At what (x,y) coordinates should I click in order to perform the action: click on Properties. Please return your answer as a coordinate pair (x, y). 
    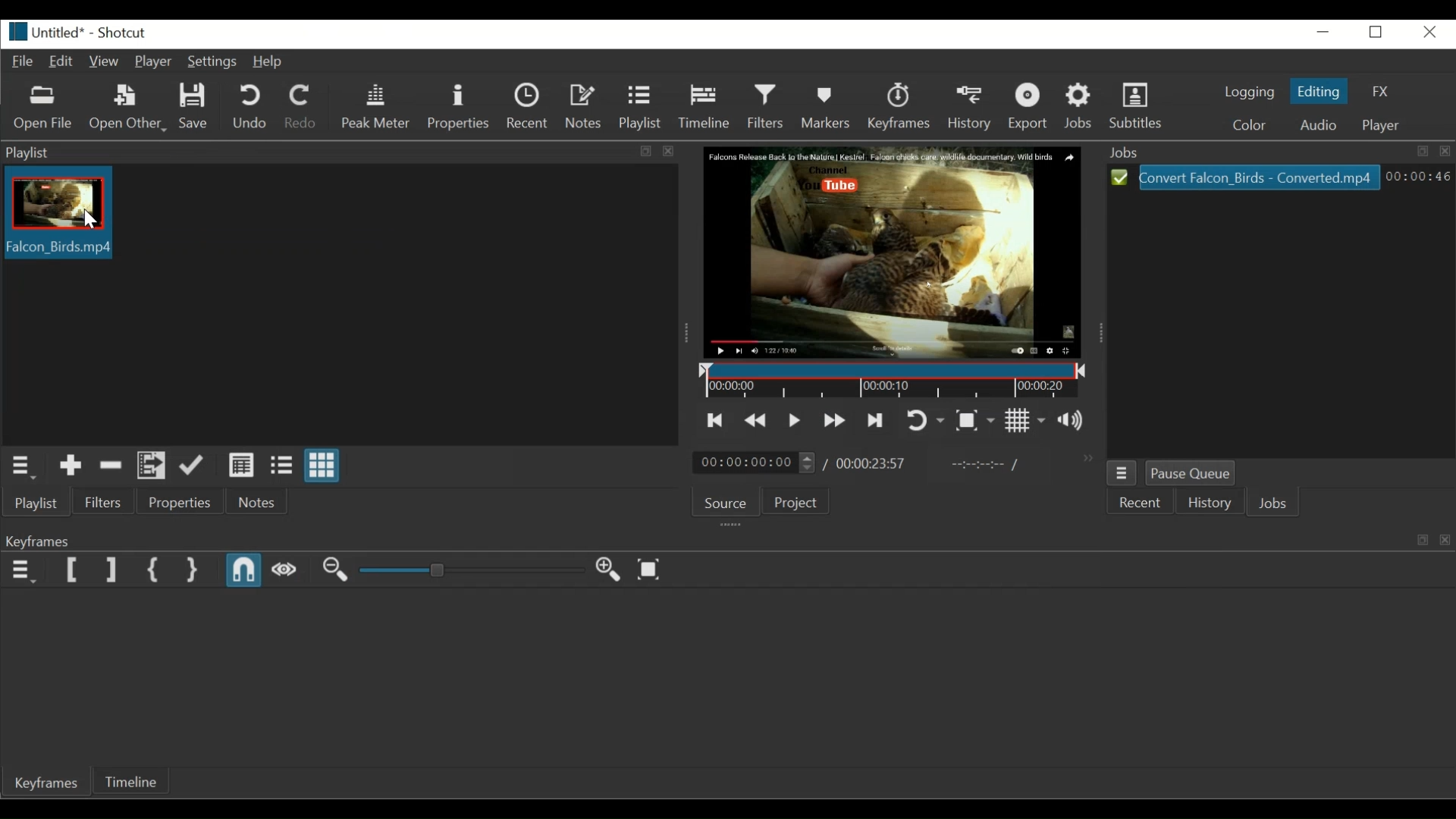
    Looking at the image, I should click on (181, 503).